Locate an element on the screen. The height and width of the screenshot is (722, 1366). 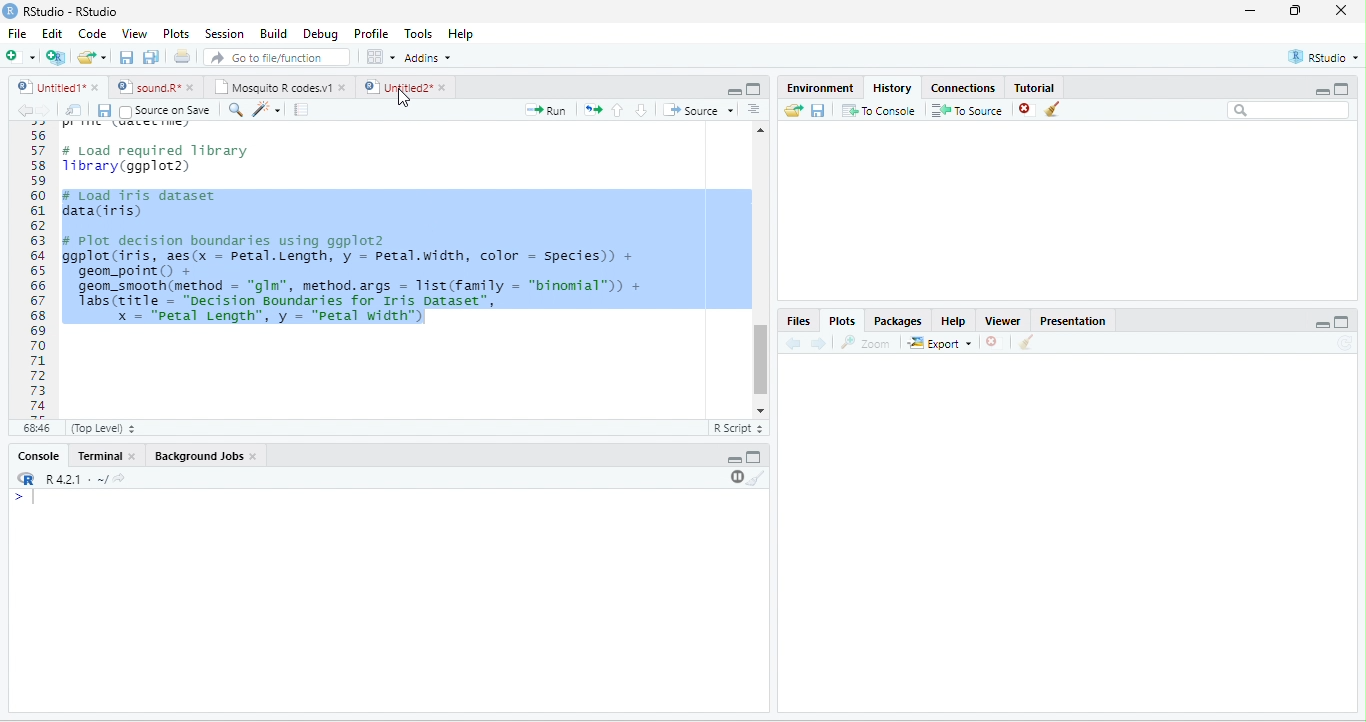
new file is located at coordinates (20, 56).